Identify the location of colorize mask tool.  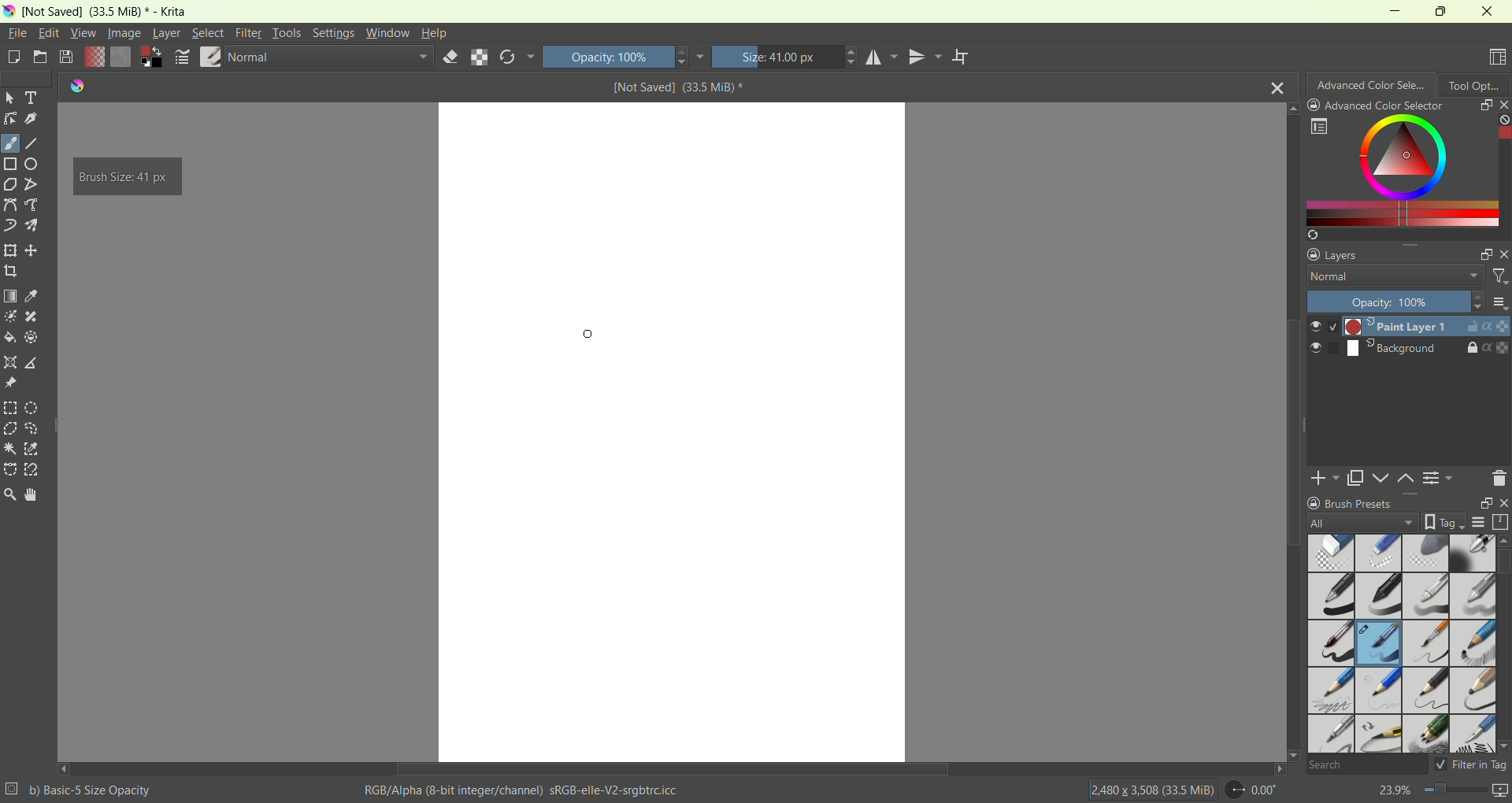
(11, 316).